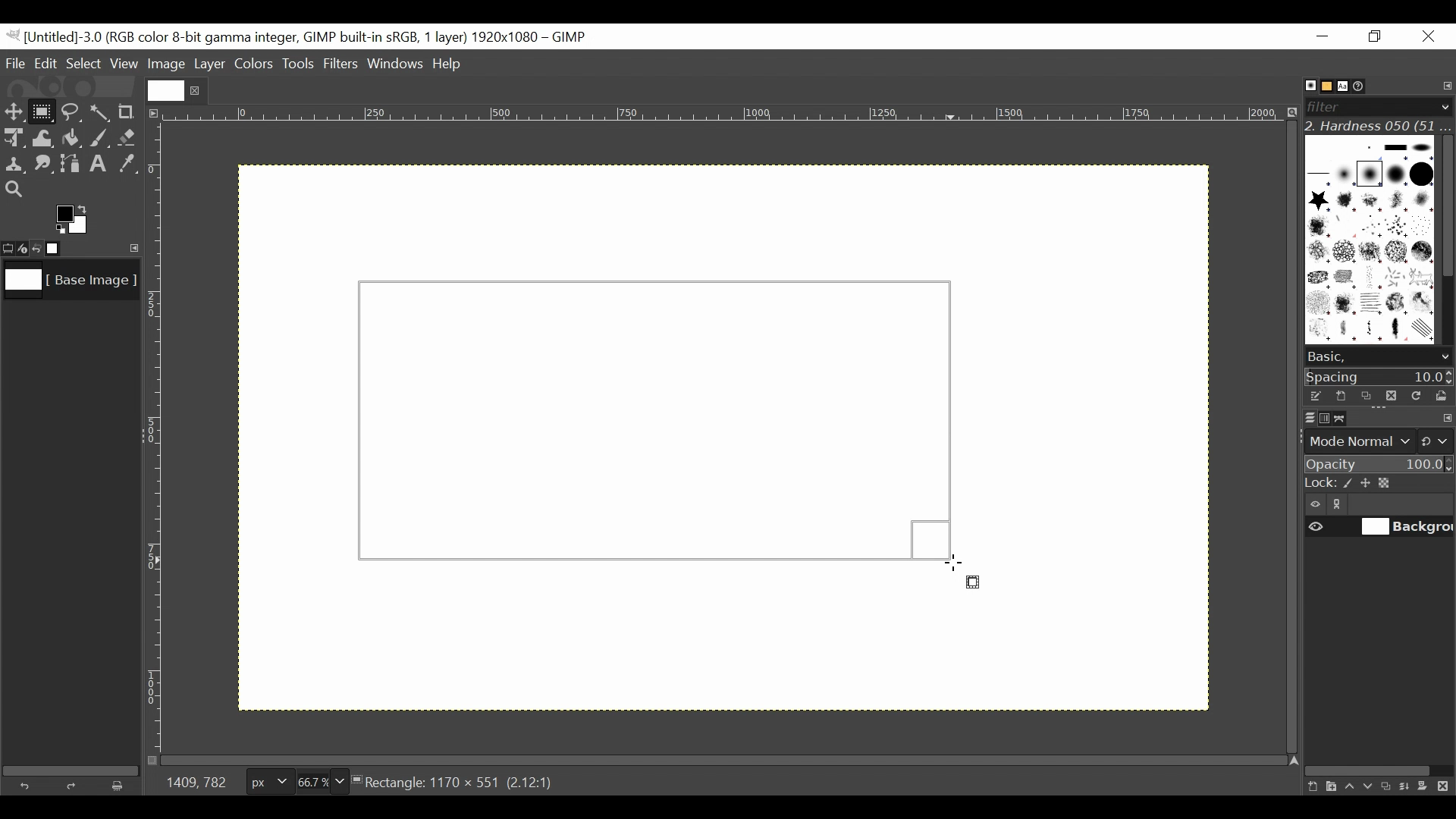  I want to click on Select, so click(84, 63).